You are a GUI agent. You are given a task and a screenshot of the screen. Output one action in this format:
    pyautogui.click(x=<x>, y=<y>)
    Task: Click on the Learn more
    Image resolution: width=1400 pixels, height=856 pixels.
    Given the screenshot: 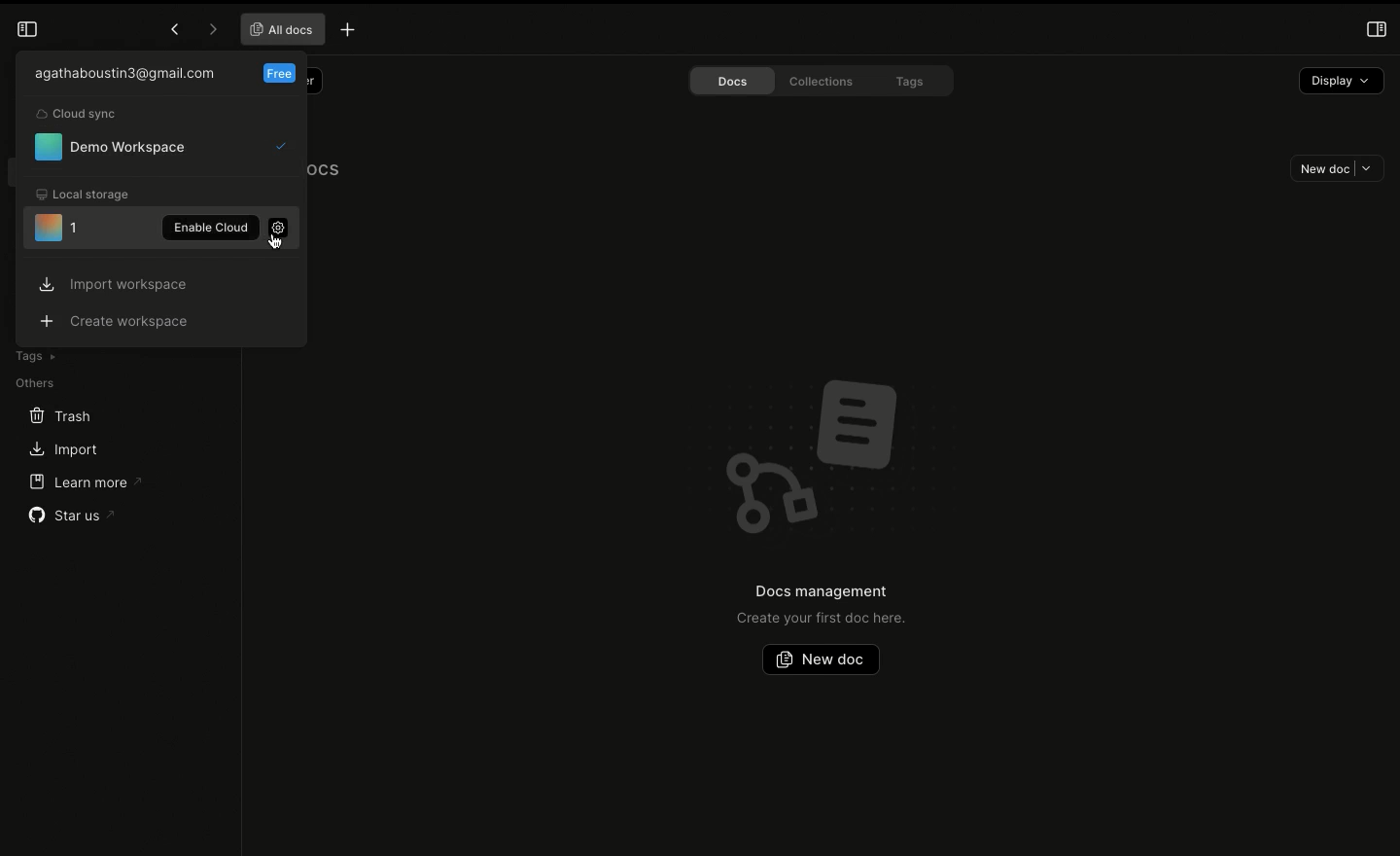 What is the action you would take?
    pyautogui.click(x=87, y=481)
    